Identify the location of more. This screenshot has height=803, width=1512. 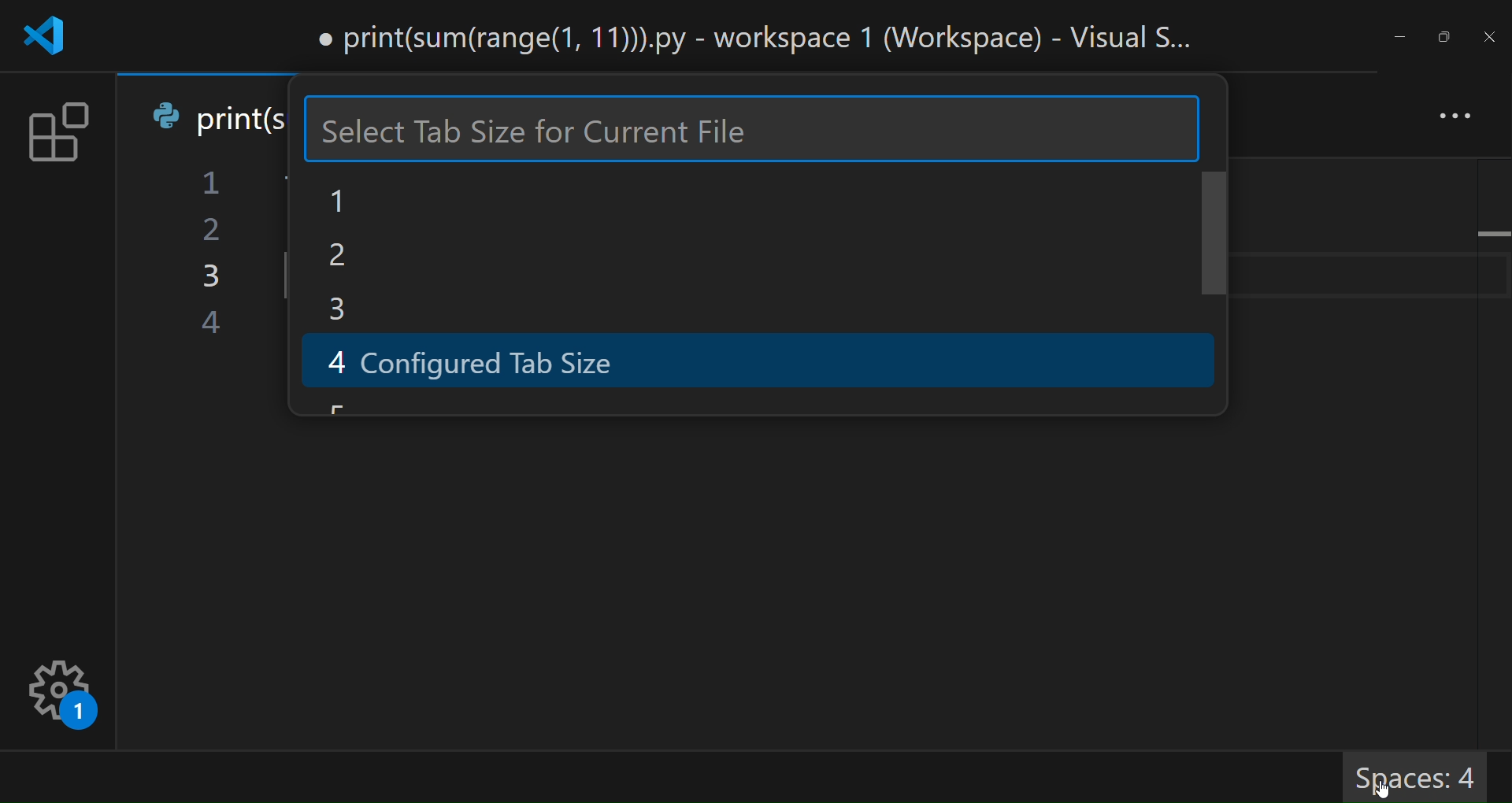
(1451, 120).